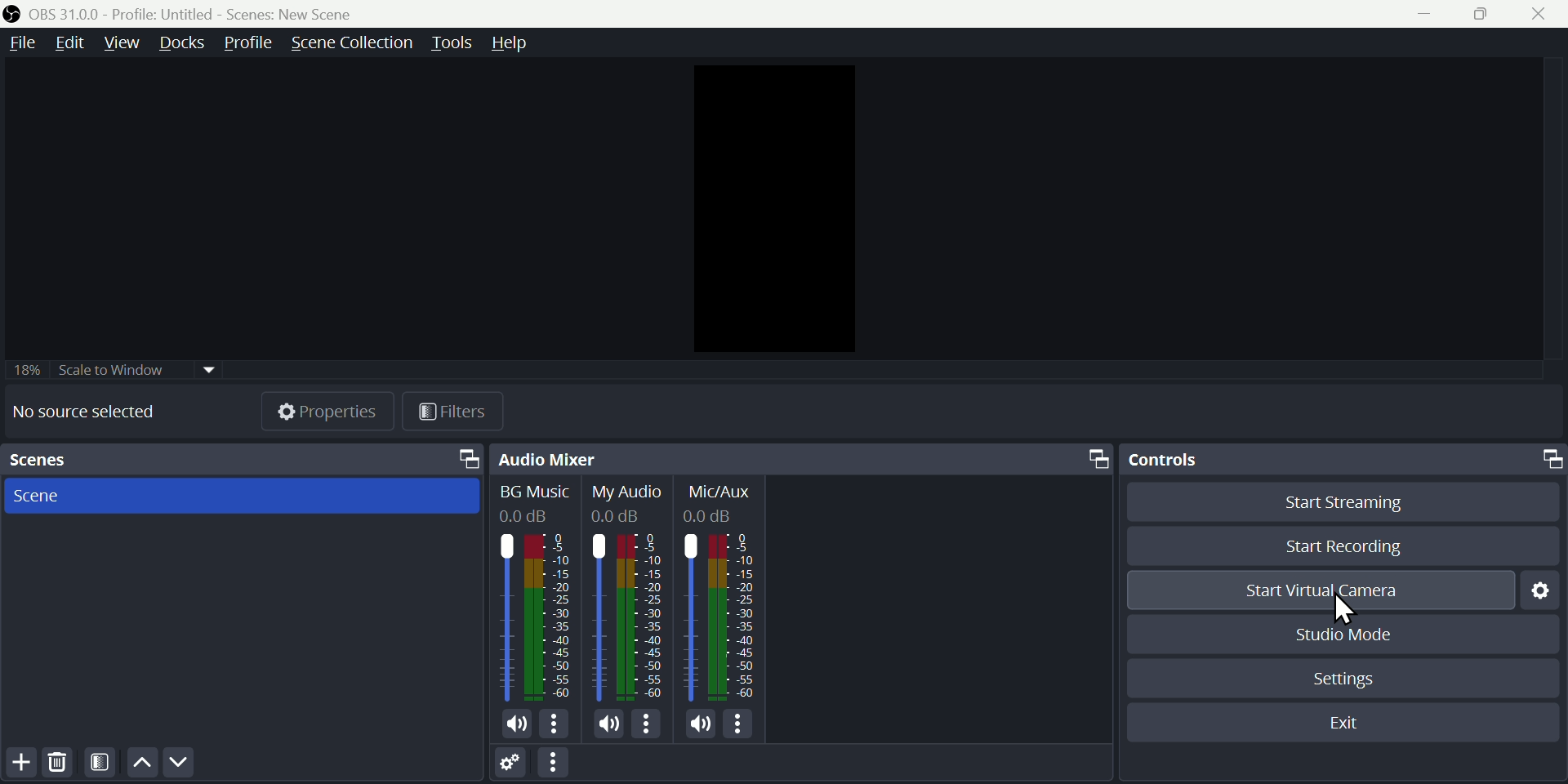 This screenshot has height=784, width=1568. I want to click on scenes, so click(242, 461).